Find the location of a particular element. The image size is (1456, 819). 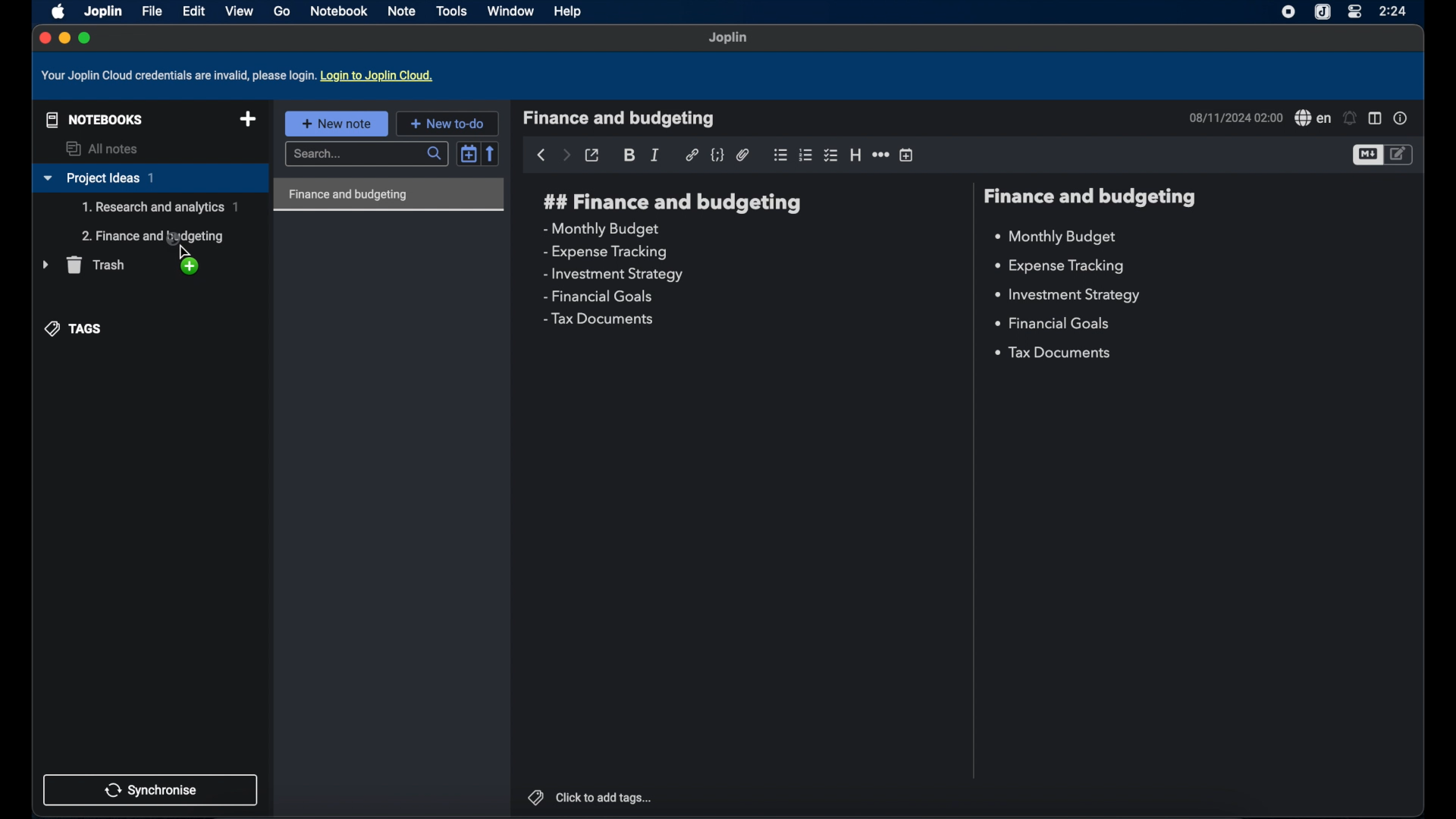

hyperlink is located at coordinates (692, 155).